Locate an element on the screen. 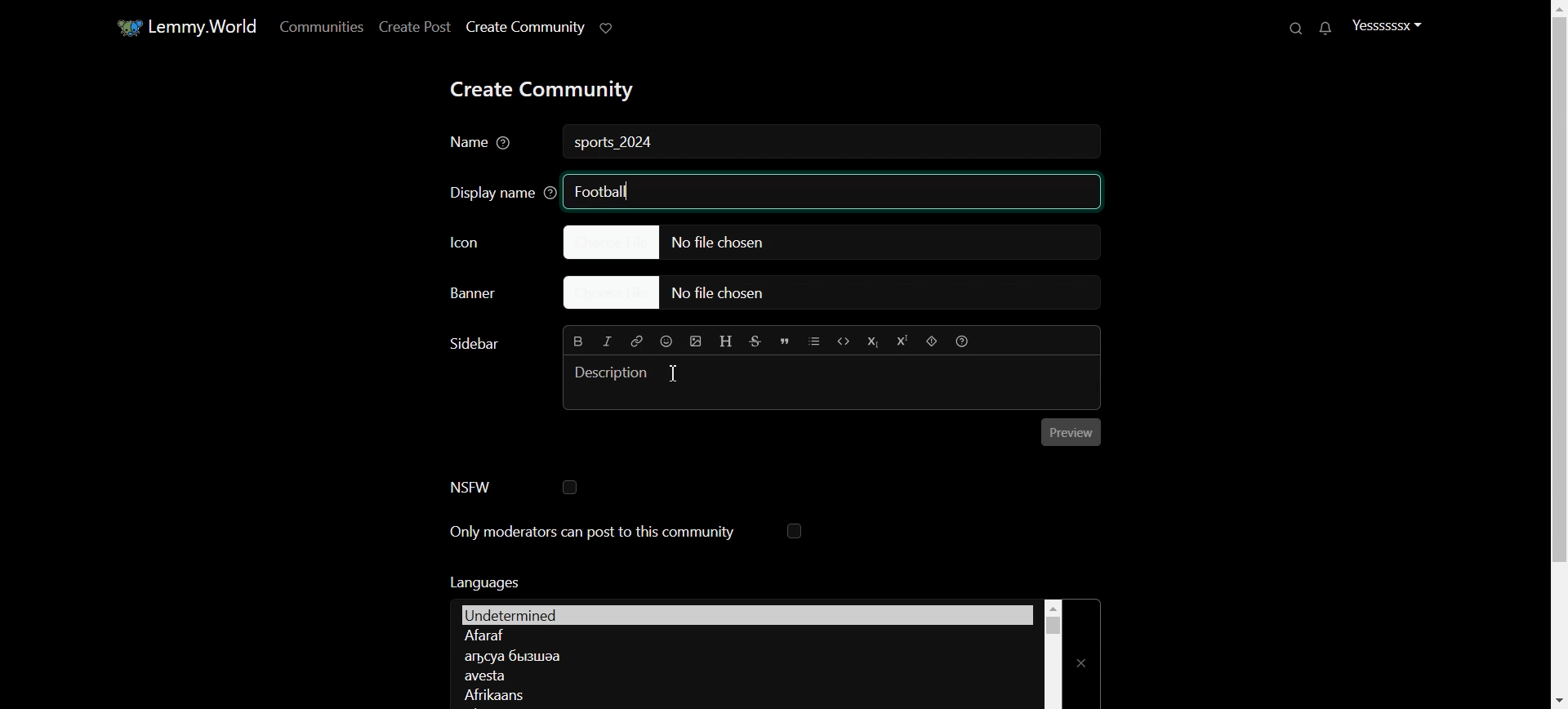 The image size is (1568, 709). Header is located at coordinates (727, 342).